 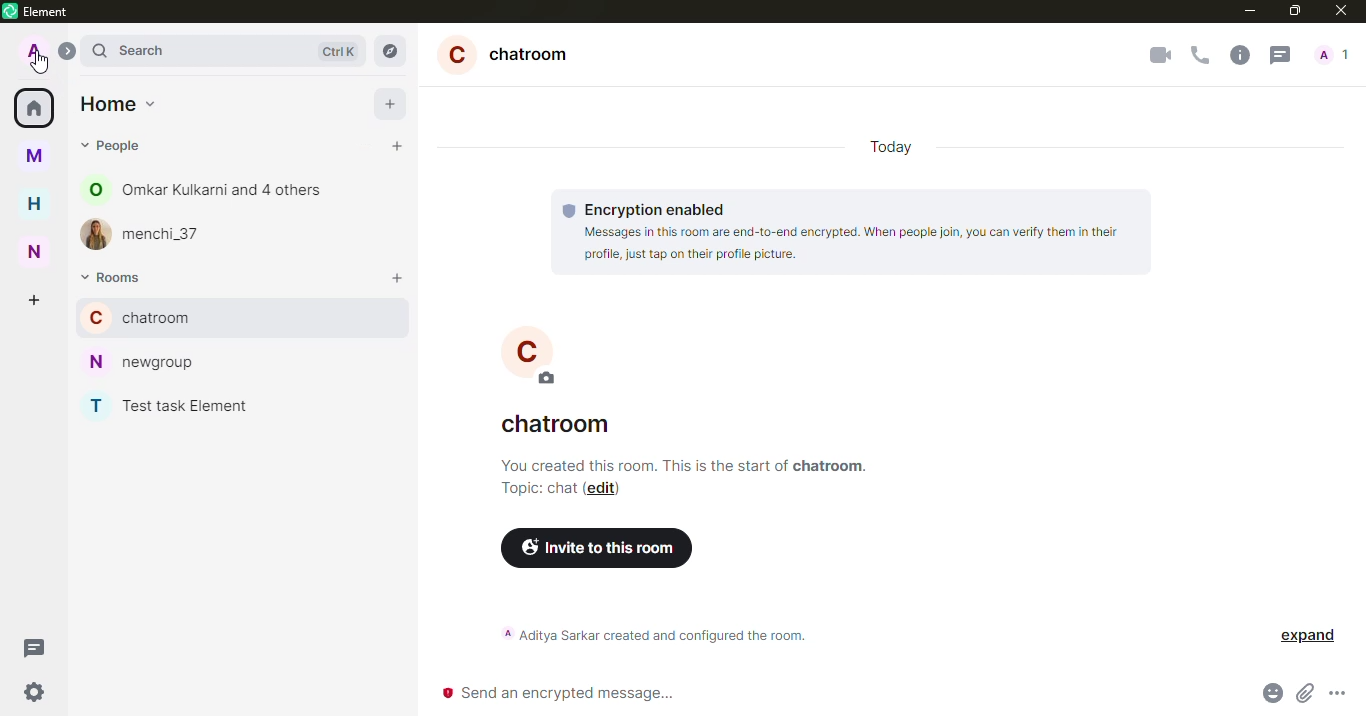 I want to click on send encrypted message, so click(x=557, y=692).